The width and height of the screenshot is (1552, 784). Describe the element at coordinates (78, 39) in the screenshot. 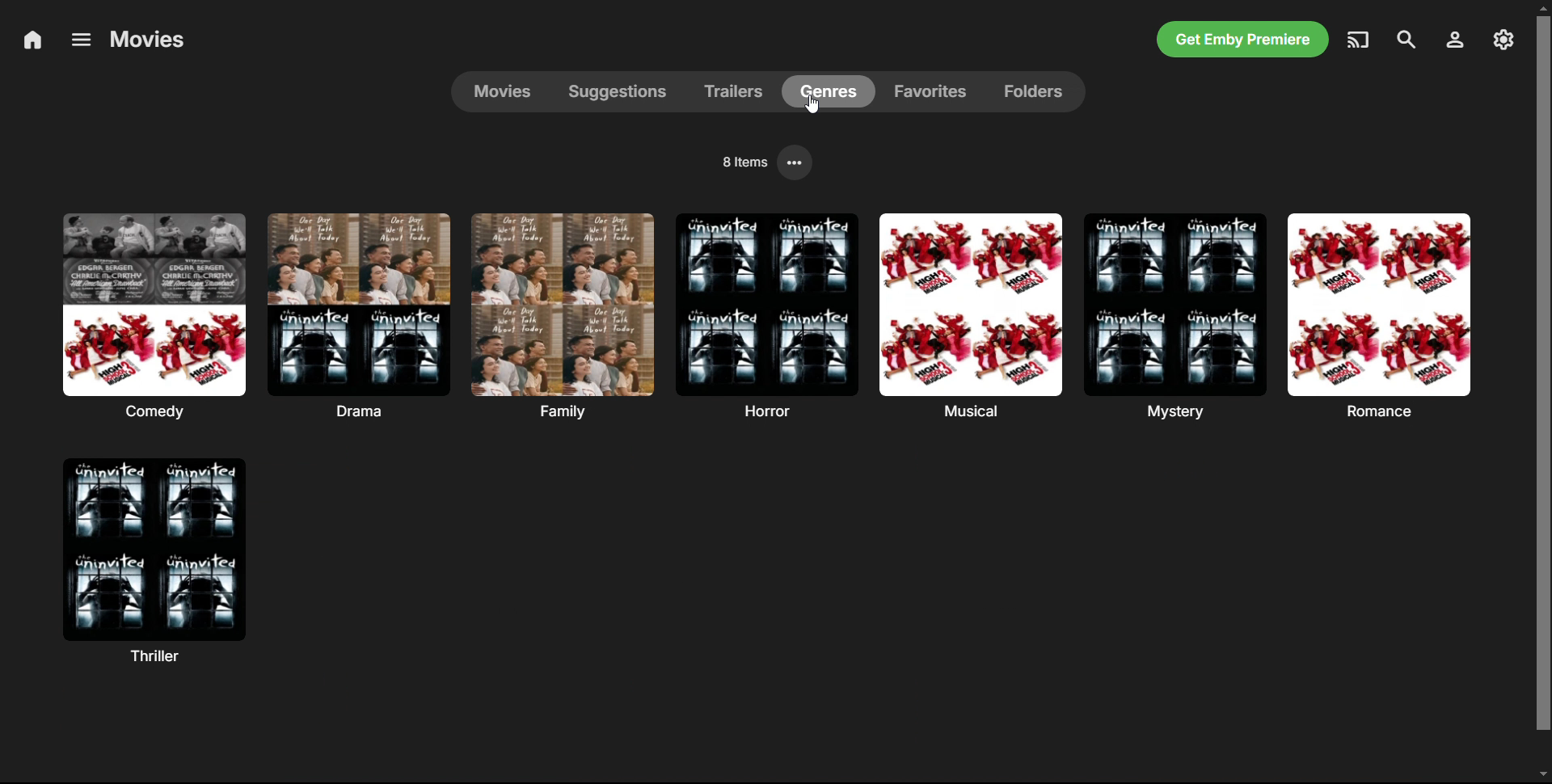

I see `options` at that location.